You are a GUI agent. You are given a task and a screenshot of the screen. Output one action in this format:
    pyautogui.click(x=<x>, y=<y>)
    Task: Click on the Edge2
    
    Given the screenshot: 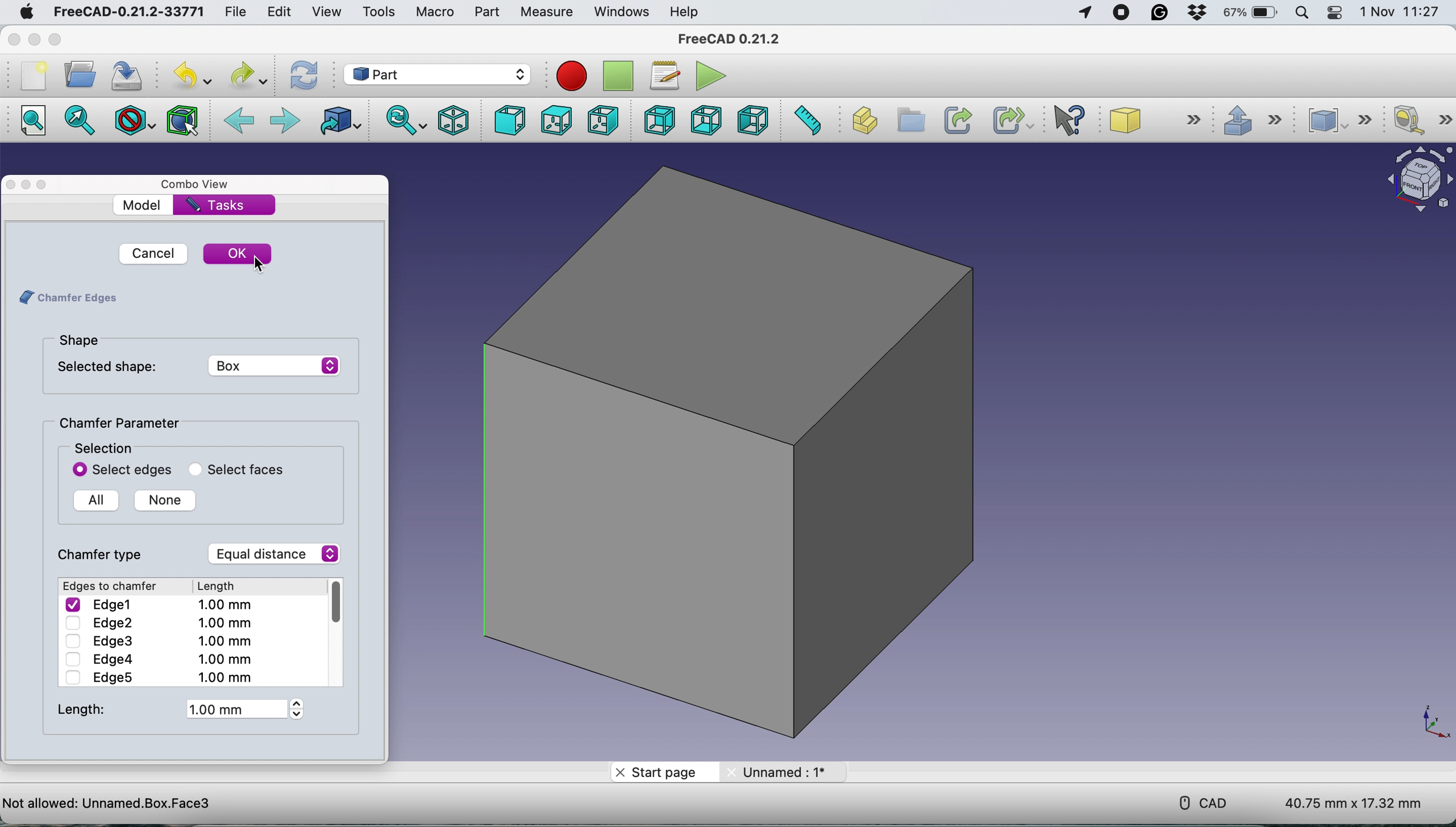 What is the action you would take?
    pyautogui.click(x=166, y=623)
    